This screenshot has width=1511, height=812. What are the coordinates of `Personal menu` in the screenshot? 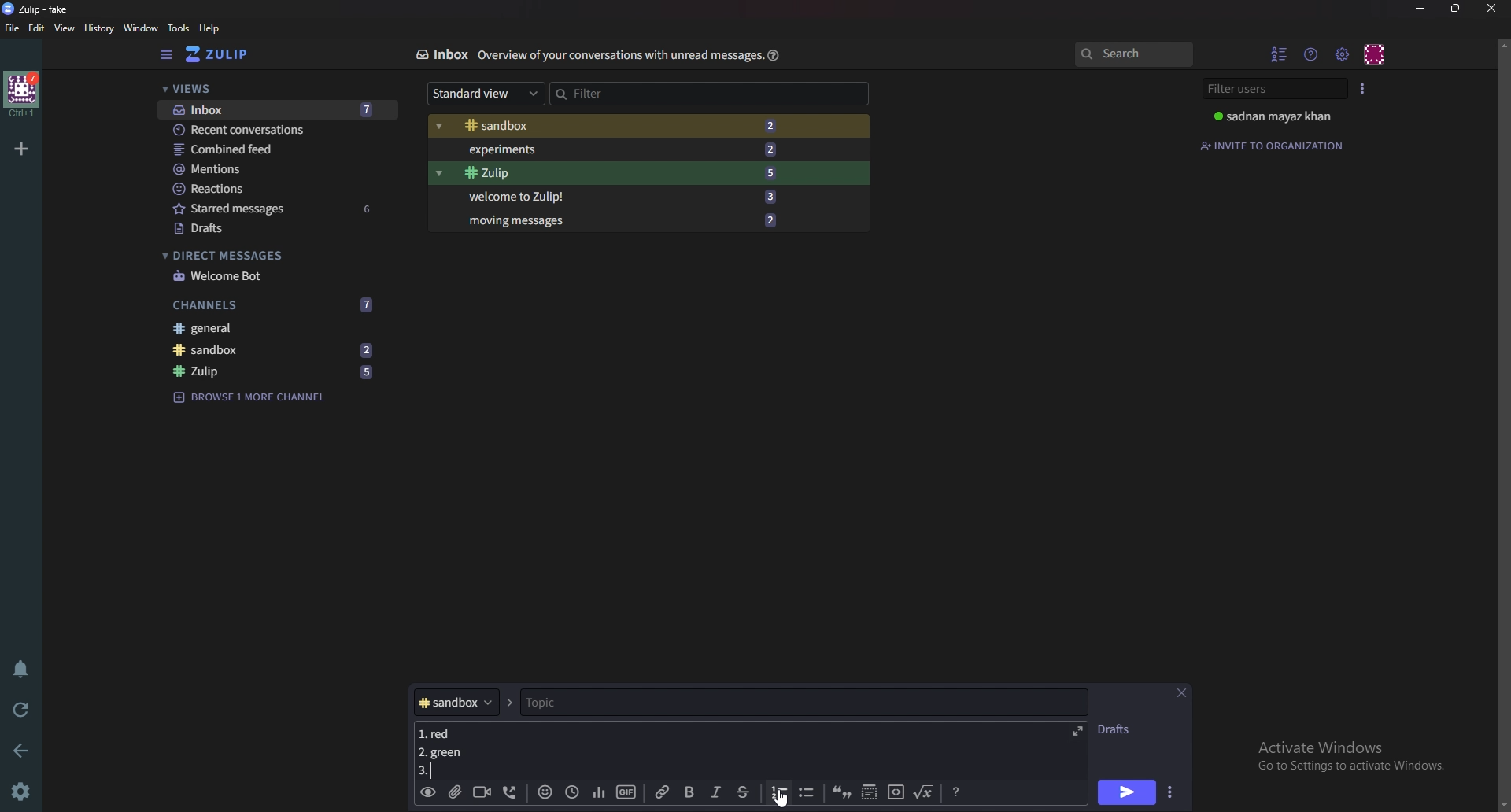 It's located at (1376, 53).